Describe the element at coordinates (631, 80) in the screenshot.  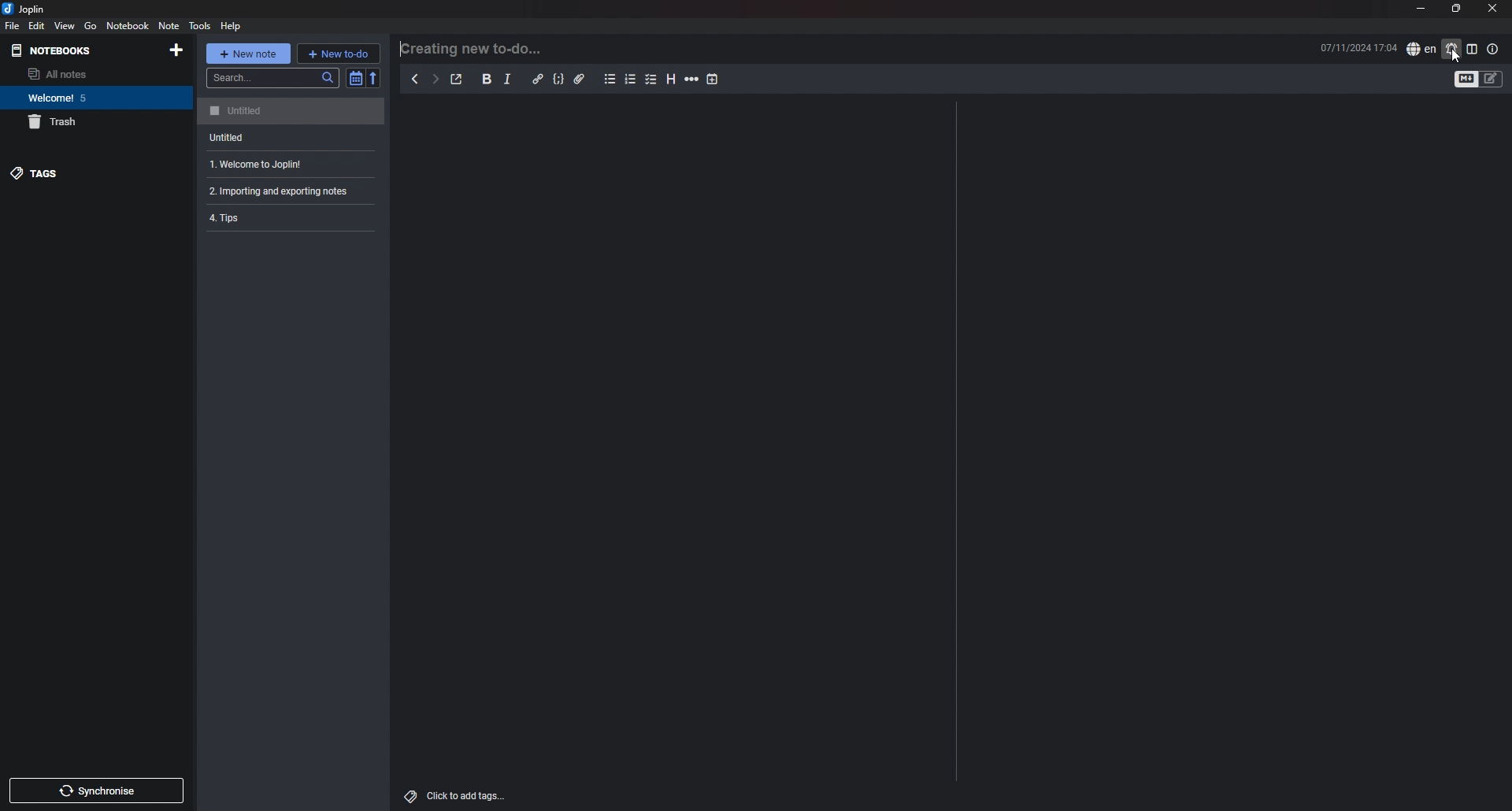
I see `numbered list` at that location.